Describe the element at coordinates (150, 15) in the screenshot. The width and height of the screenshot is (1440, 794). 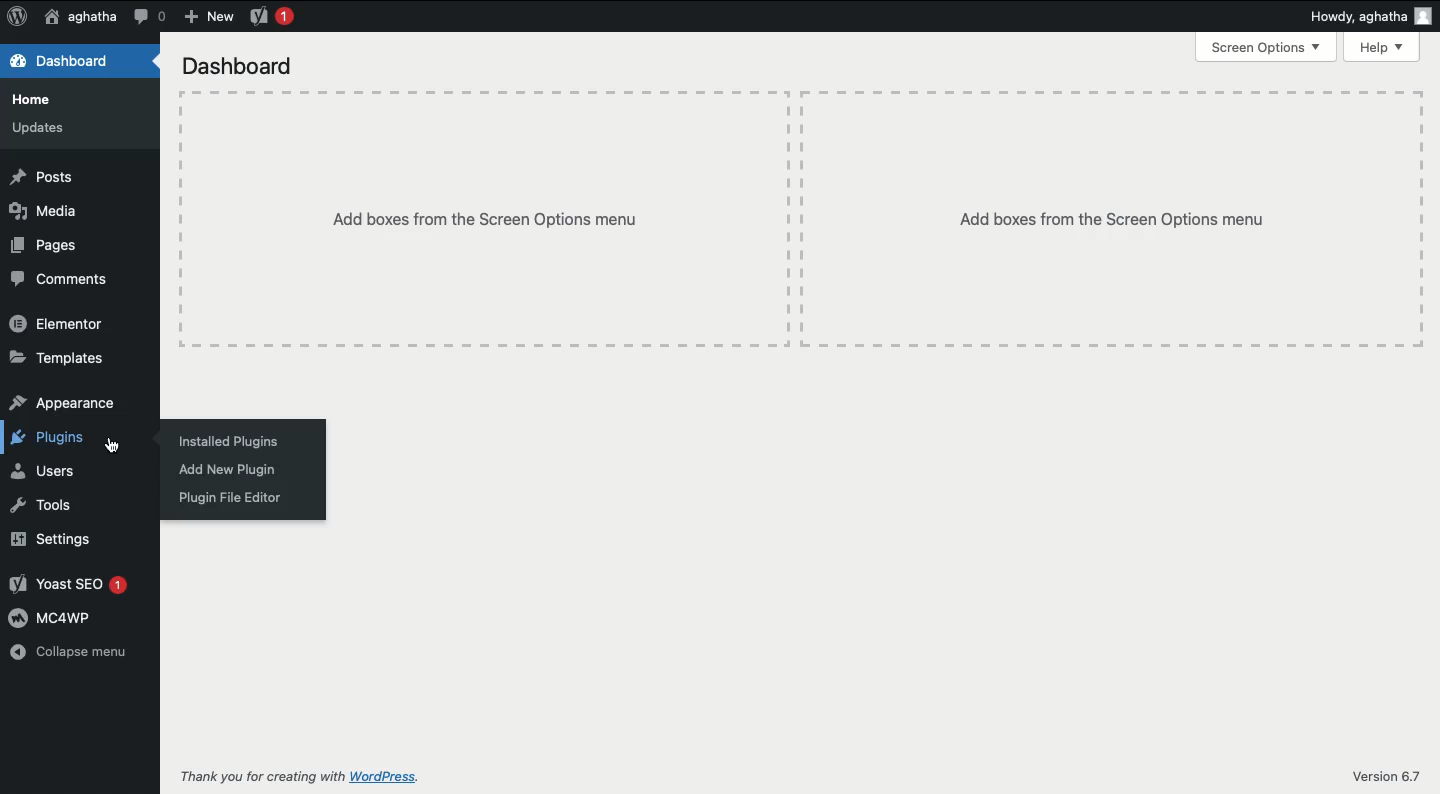
I see `Comment` at that location.